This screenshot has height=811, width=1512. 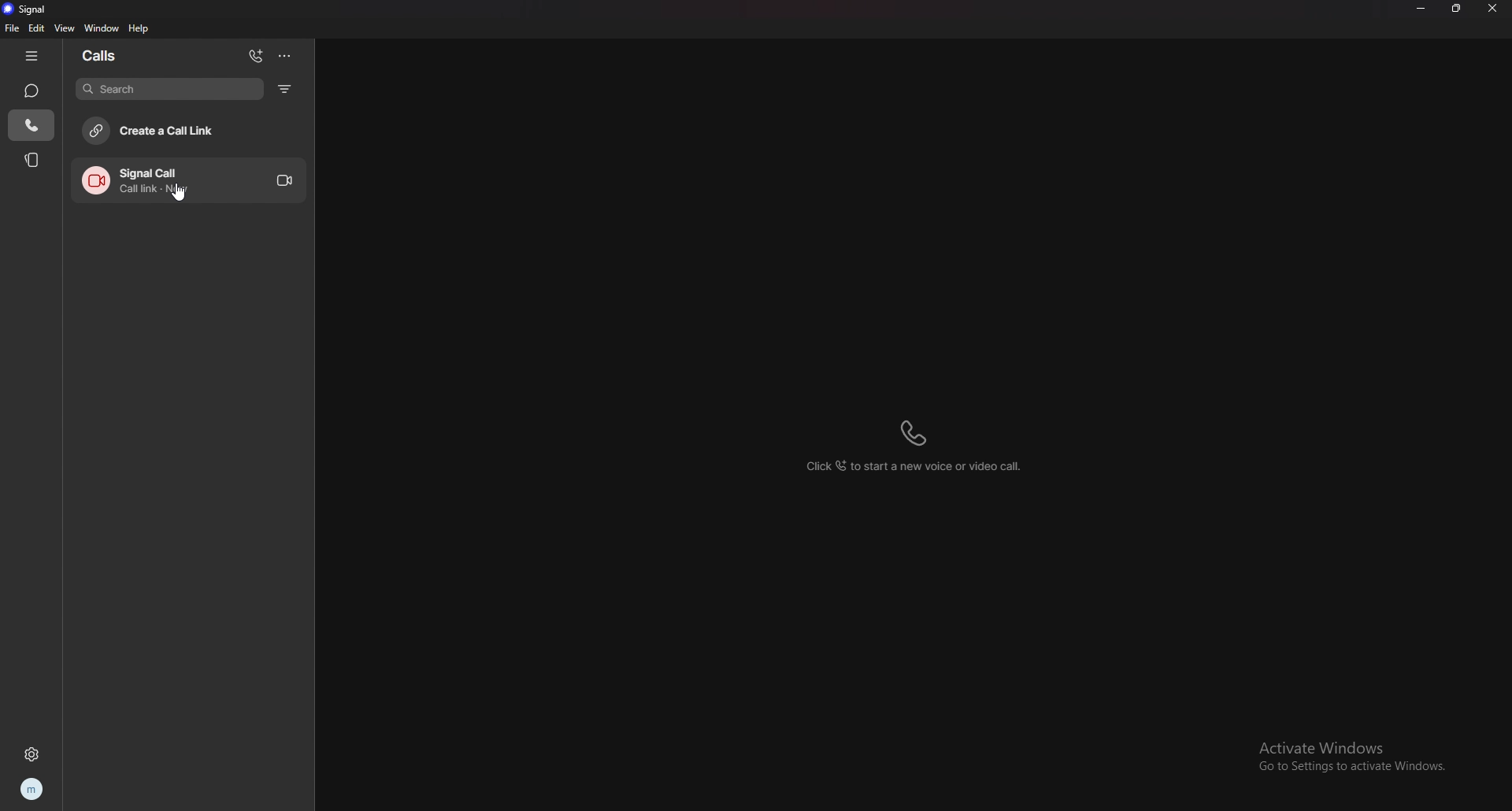 What do you see at coordinates (102, 28) in the screenshot?
I see `window` at bounding box center [102, 28].